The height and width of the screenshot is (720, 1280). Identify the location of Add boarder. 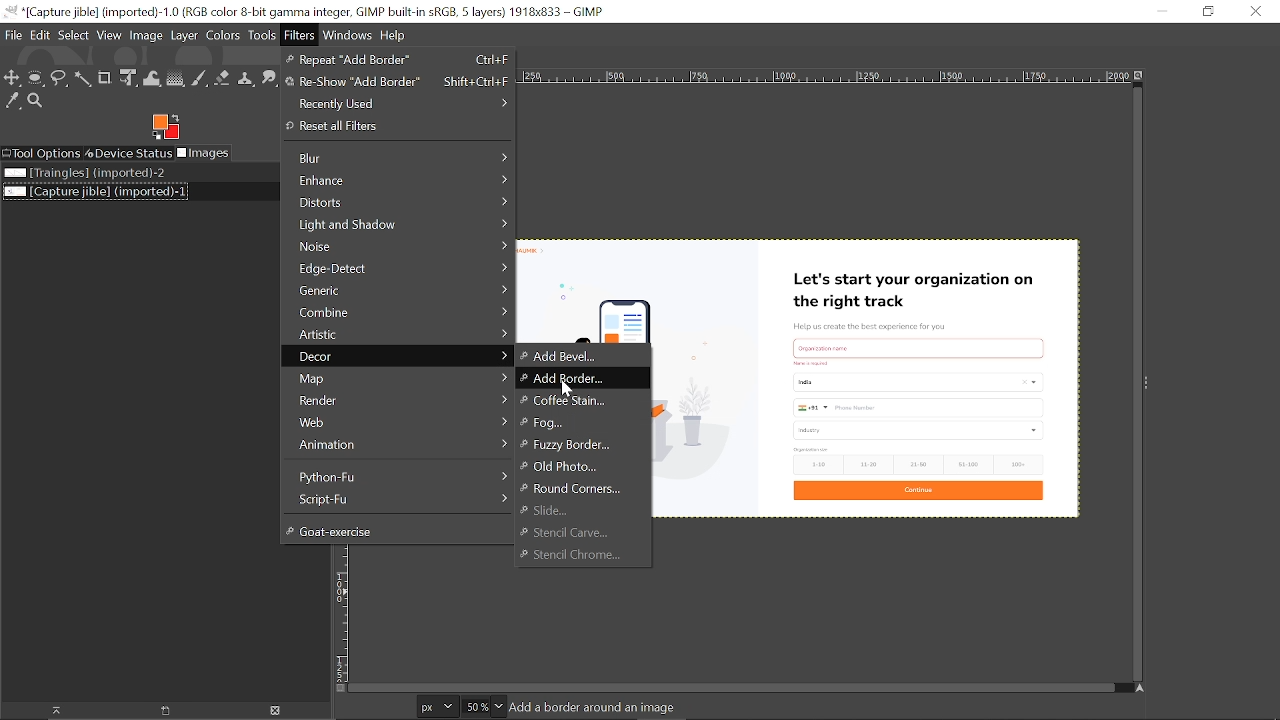
(564, 379).